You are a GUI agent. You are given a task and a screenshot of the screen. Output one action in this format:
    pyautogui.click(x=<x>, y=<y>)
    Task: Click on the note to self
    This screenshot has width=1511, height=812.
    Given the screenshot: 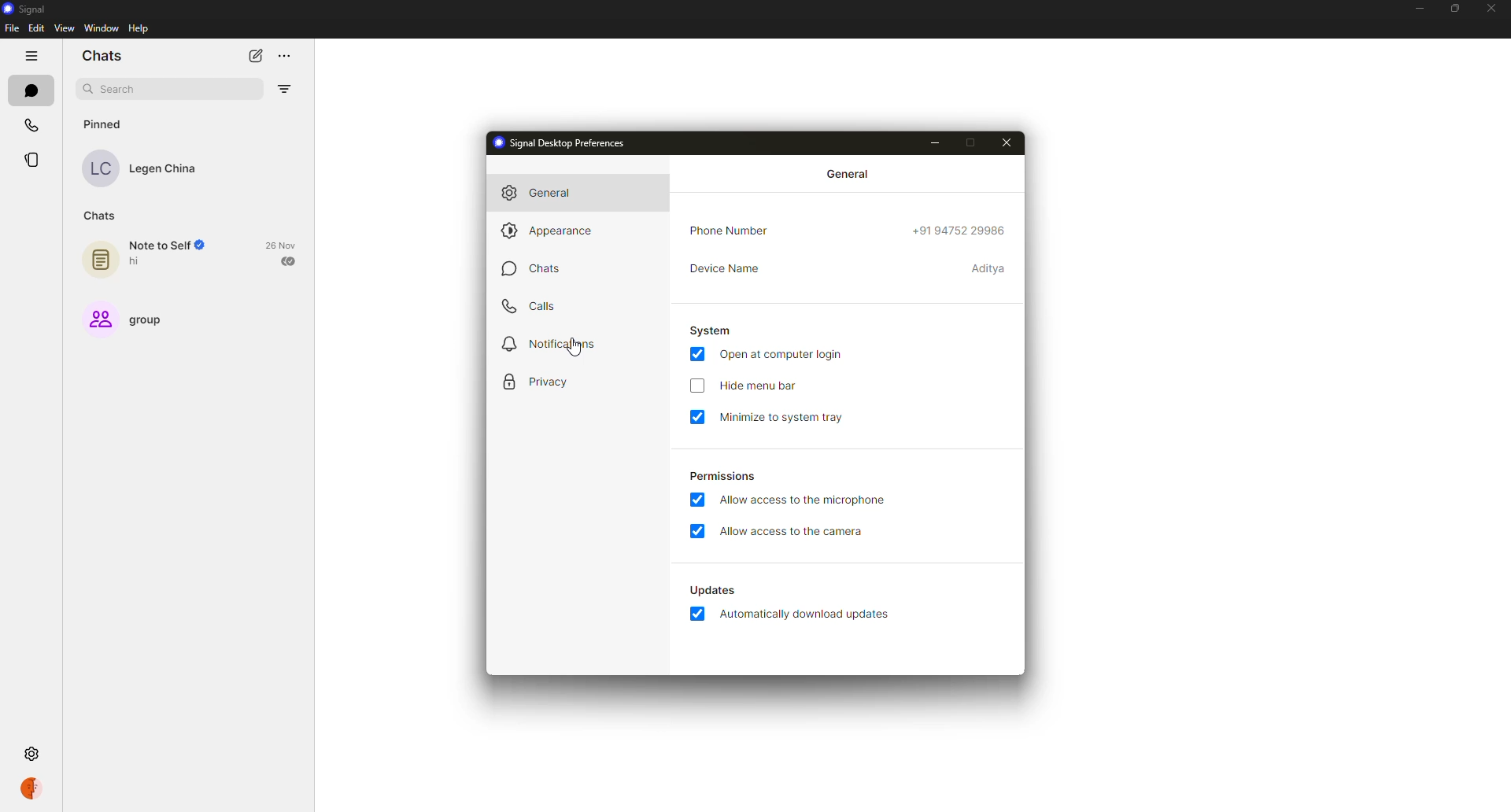 What is the action you would take?
    pyautogui.click(x=152, y=256)
    